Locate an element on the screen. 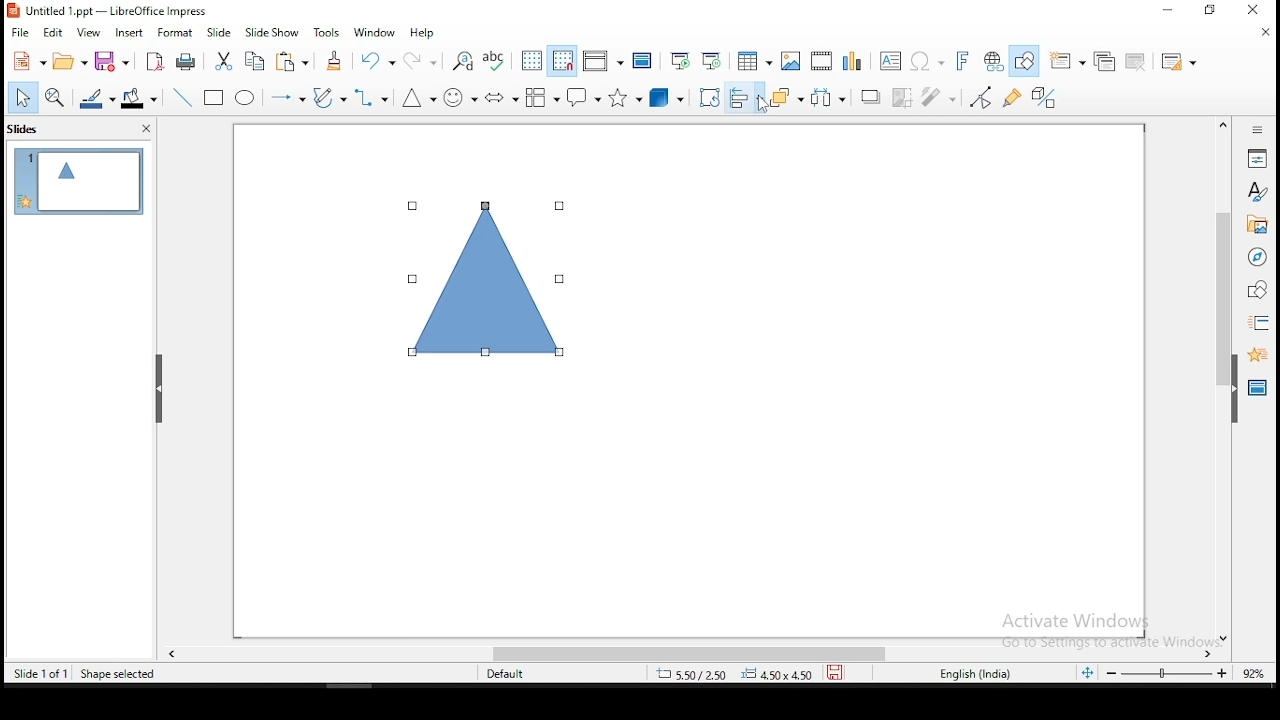 The width and height of the screenshot is (1280, 720). ellipse is located at coordinates (247, 99).